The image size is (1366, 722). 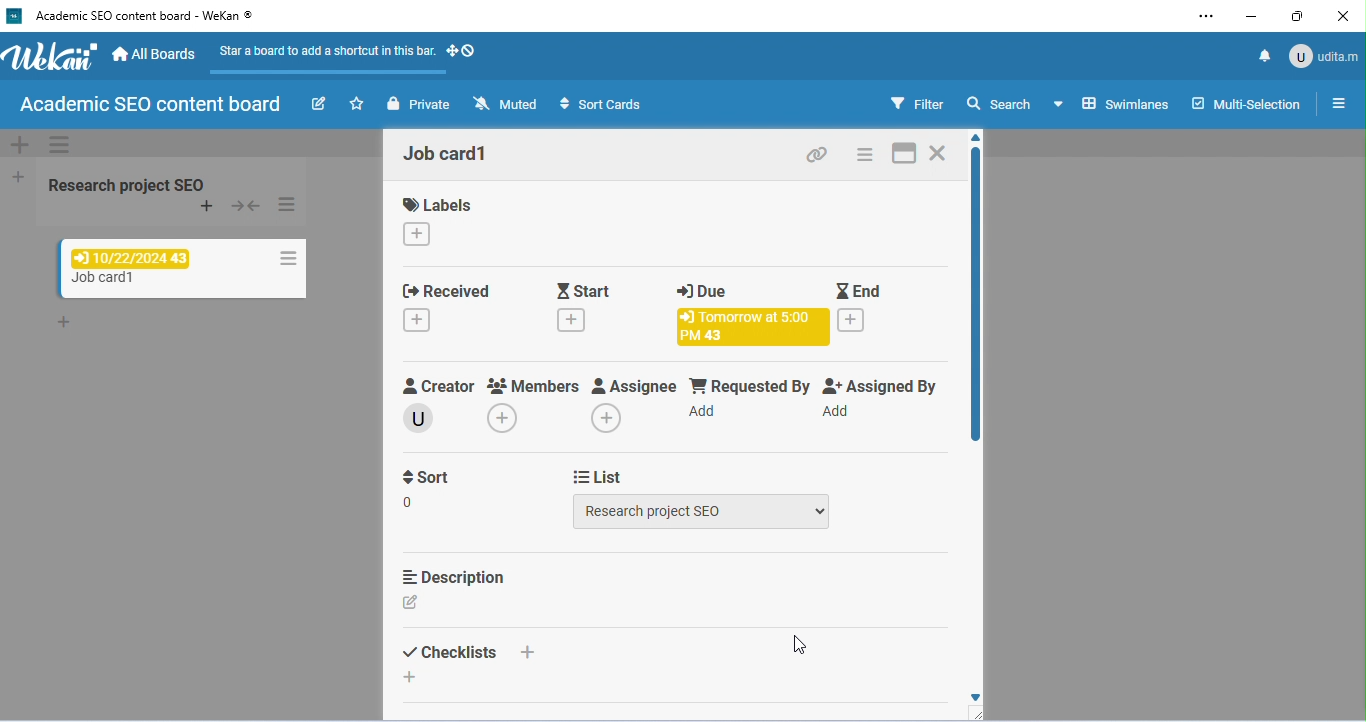 I want to click on copy card link, so click(x=814, y=153).